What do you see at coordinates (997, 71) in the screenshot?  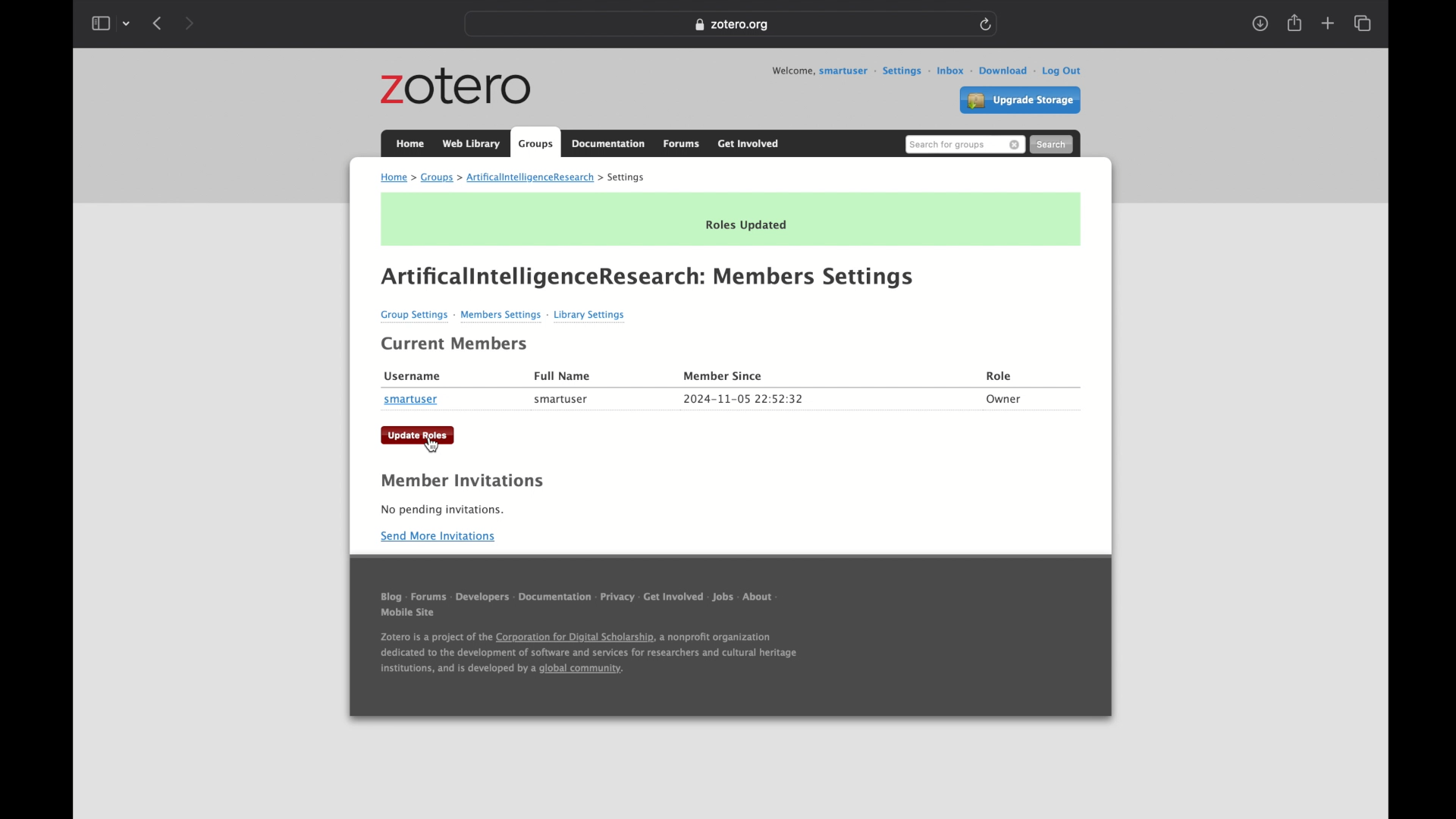 I see `download ` at bounding box center [997, 71].